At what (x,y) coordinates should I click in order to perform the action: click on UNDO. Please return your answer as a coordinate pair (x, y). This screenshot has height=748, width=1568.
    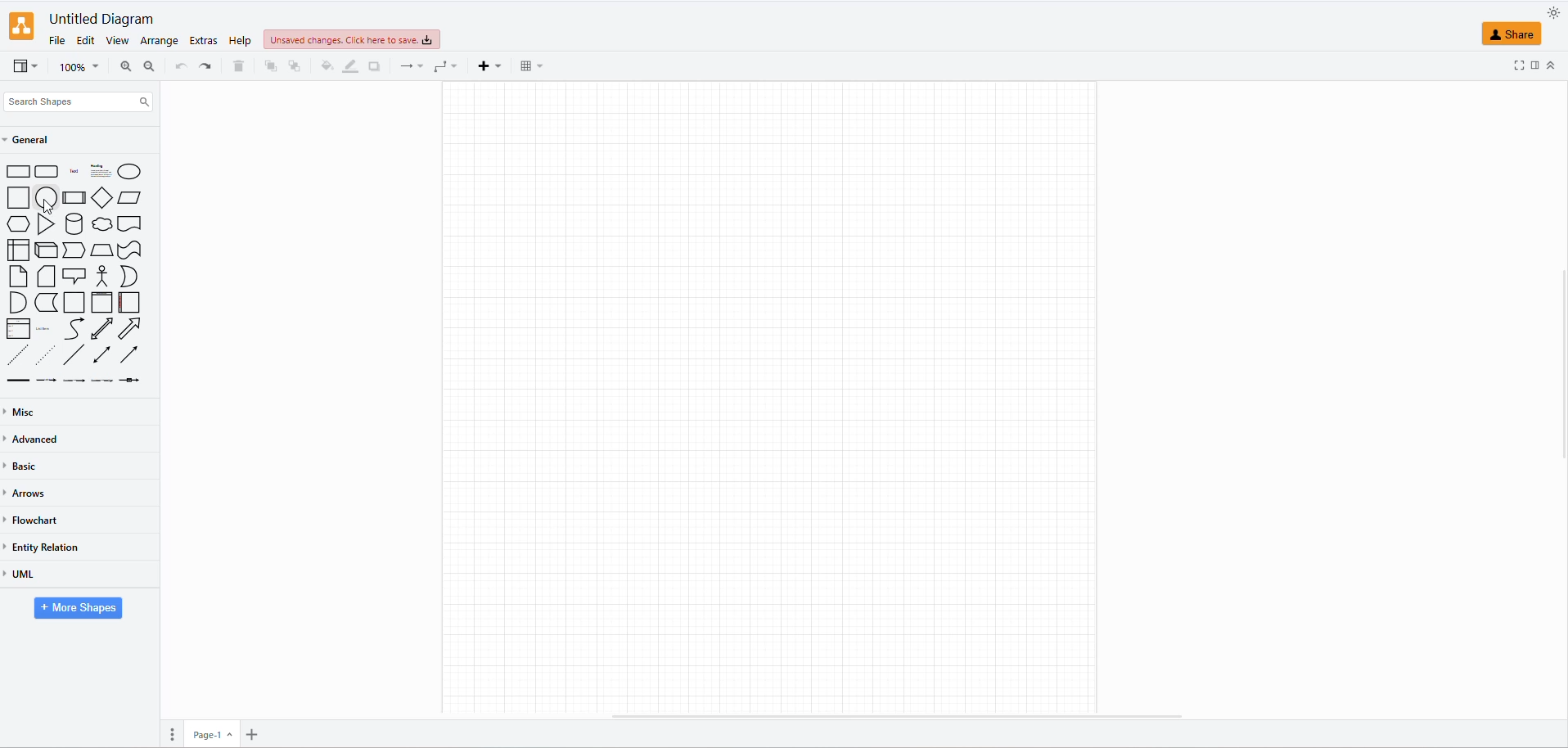
    Looking at the image, I should click on (179, 67).